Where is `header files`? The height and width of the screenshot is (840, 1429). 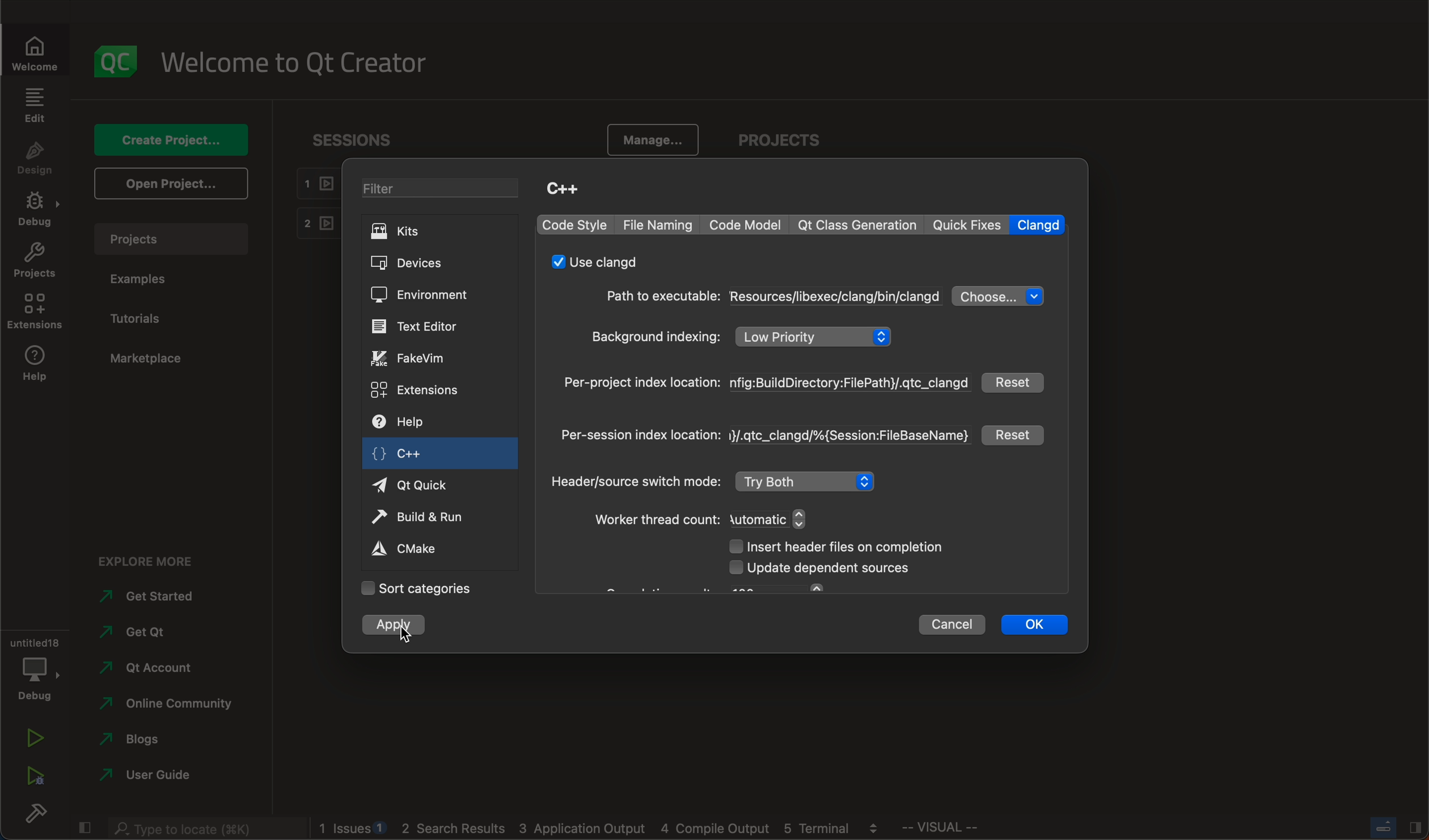 header files is located at coordinates (856, 549).